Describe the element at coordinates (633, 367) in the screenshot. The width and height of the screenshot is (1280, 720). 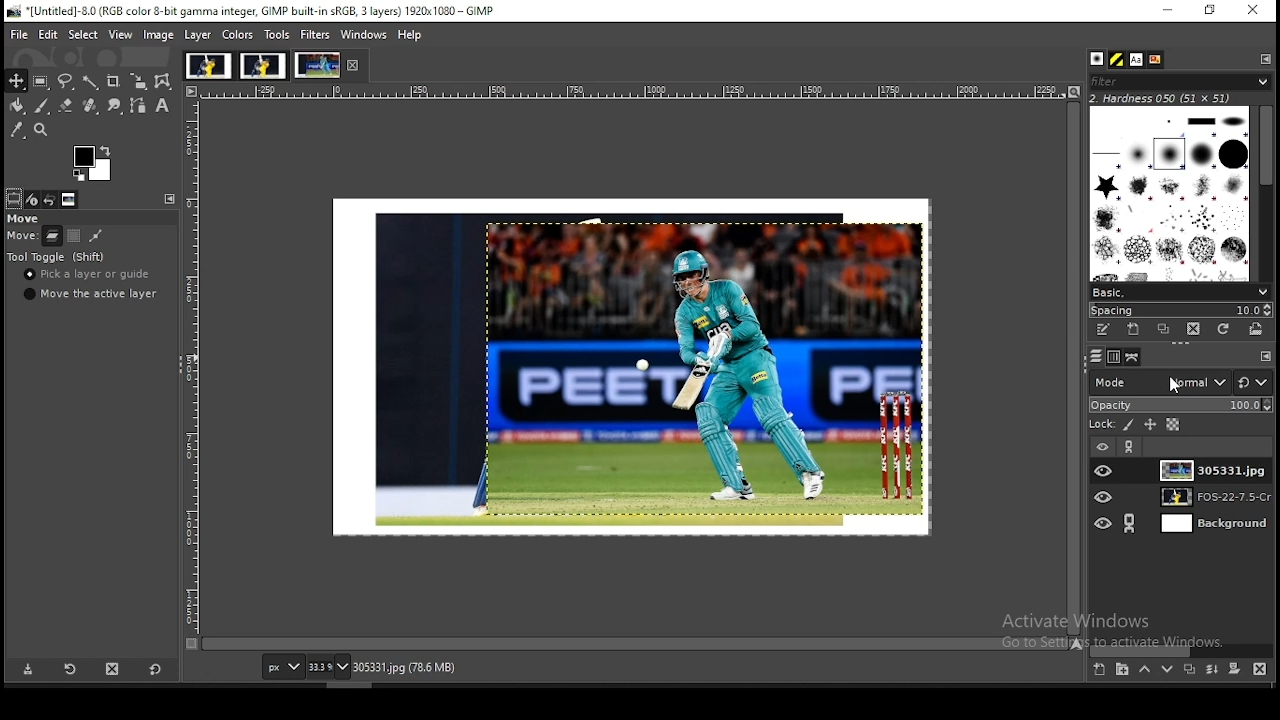
I see `image` at that location.